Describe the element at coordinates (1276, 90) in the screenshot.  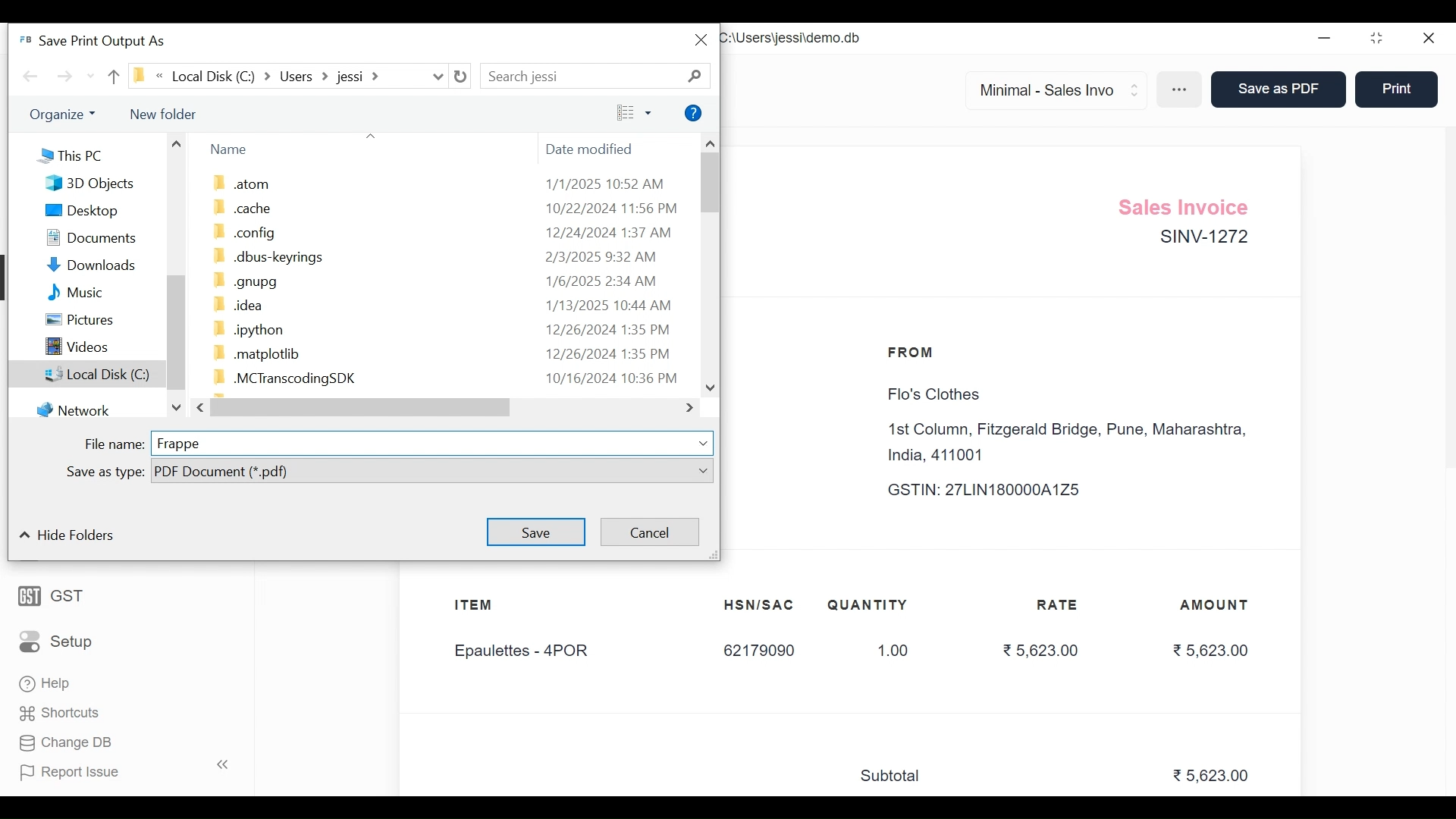
I see `Save as PDF` at that location.